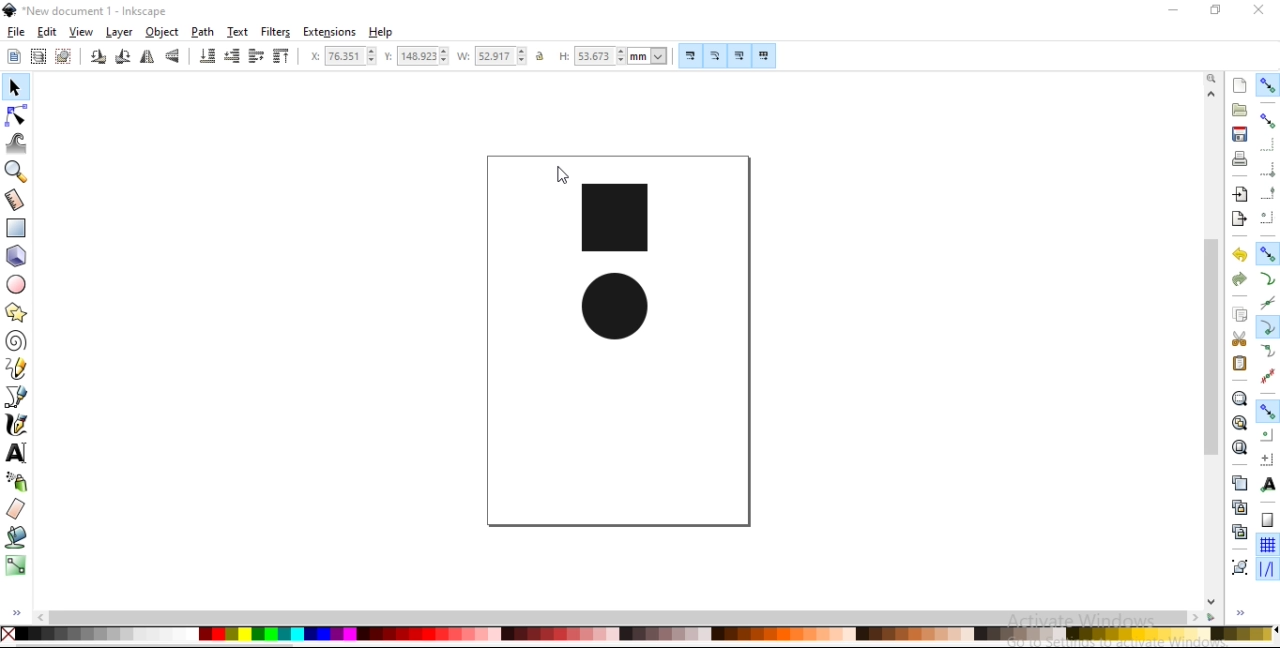 The height and width of the screenshot is (648, 1280). Describe the element at coordinates (1268, 277) in the screenshot. I see `snap to paths` at that location.